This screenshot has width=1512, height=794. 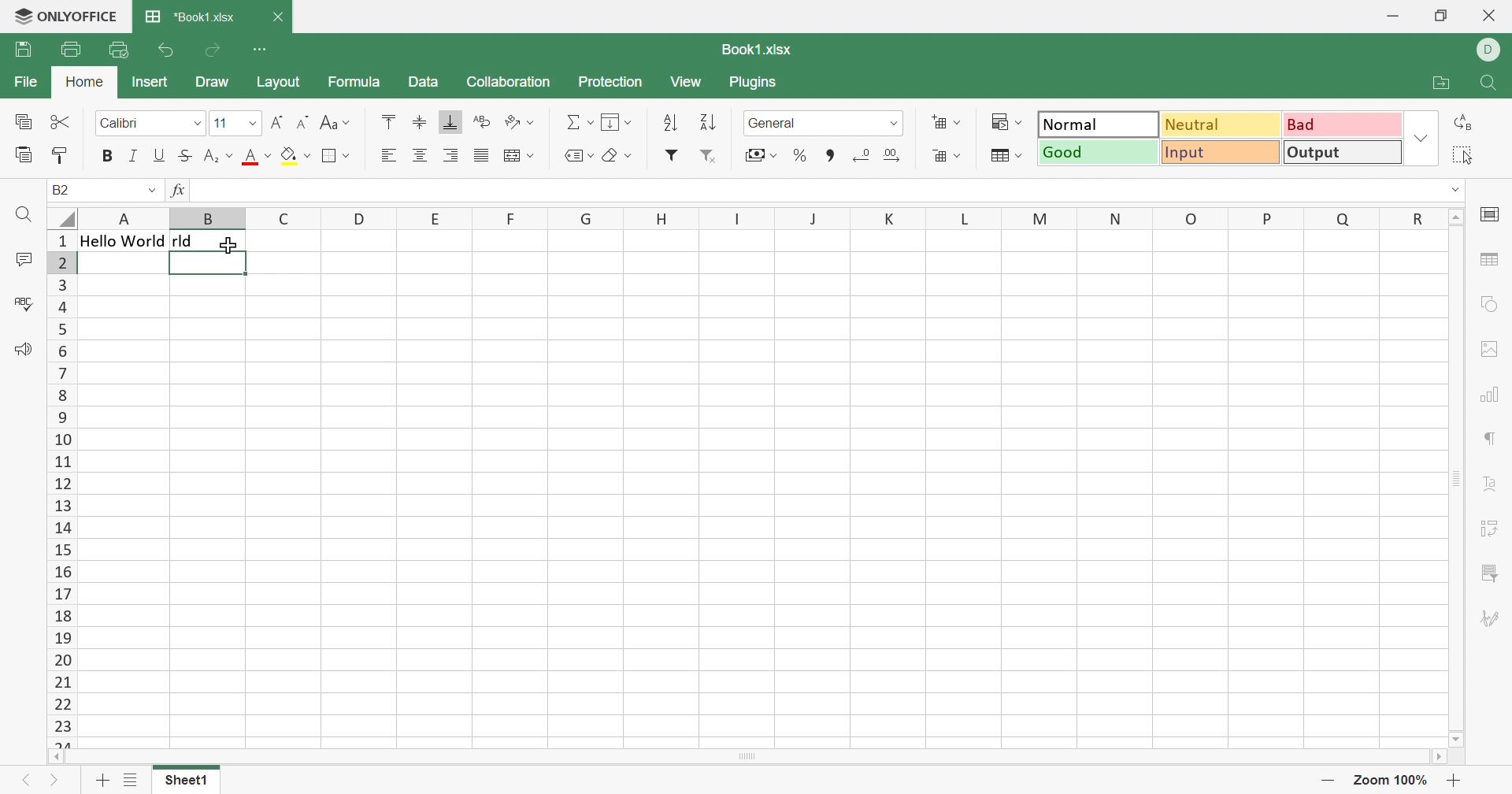 I want to click on Scroll Bar, so click(x=744, y=756).